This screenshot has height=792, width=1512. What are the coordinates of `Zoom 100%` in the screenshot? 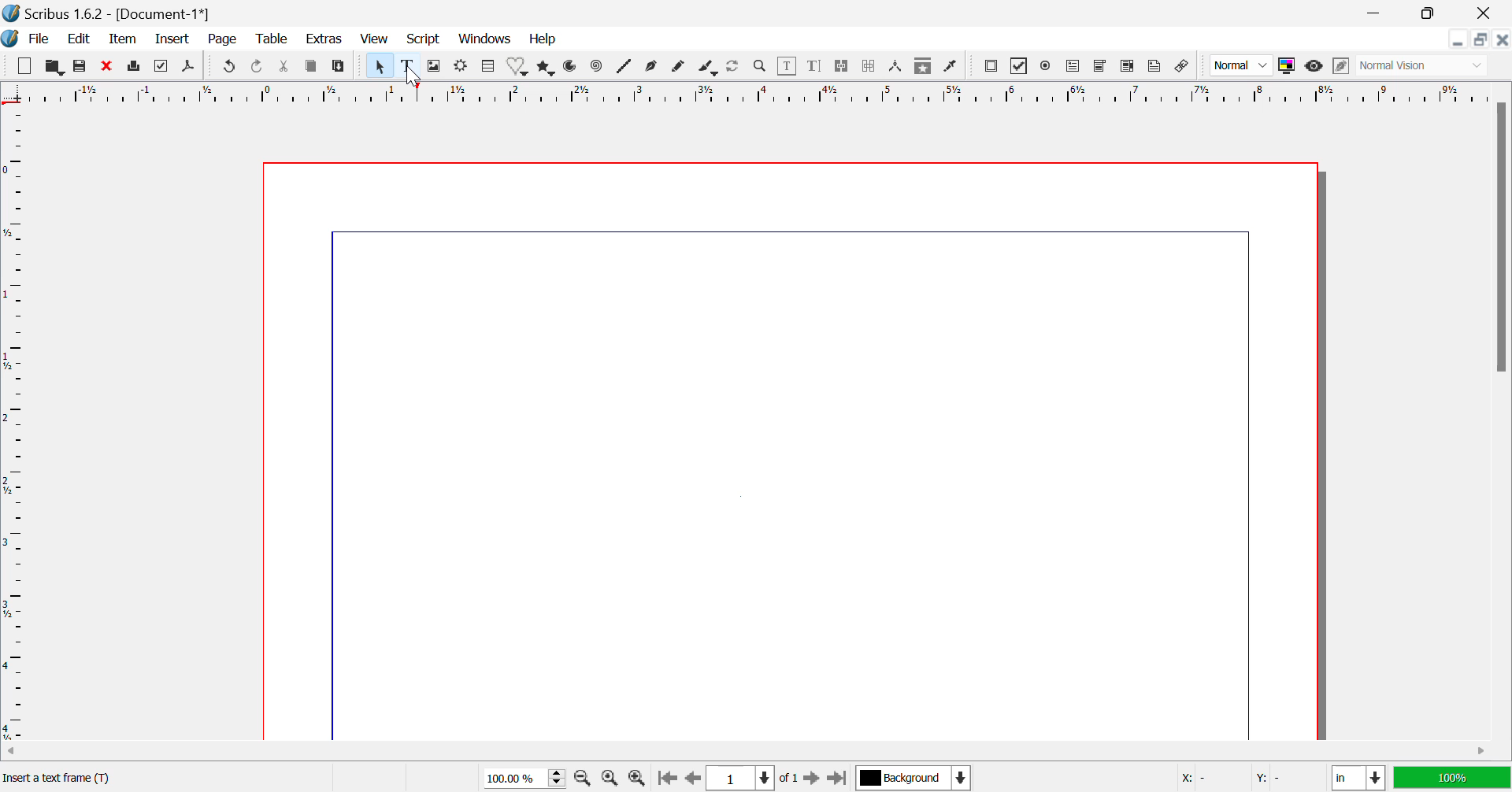 It's located at (526, 777).